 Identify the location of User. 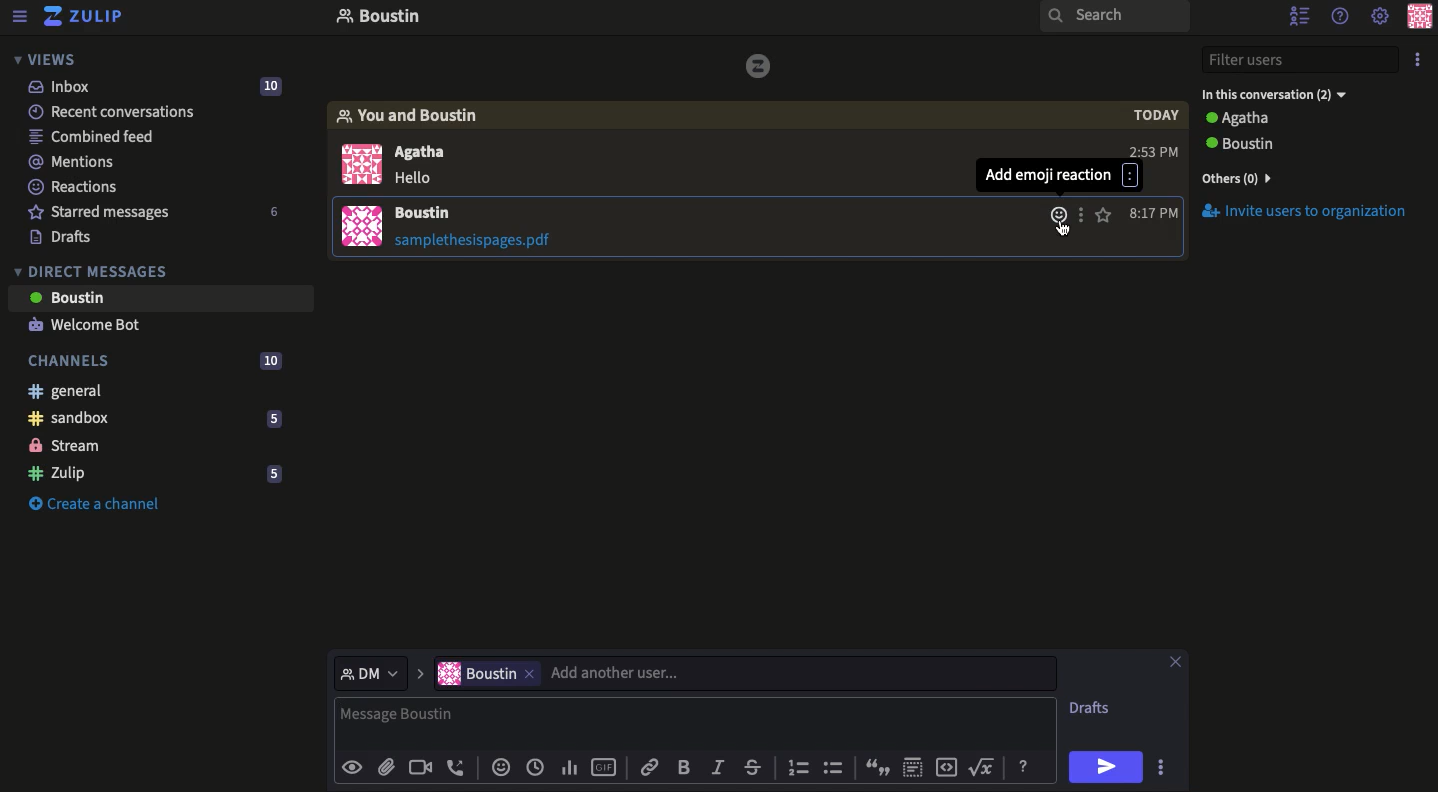
(169, 298).